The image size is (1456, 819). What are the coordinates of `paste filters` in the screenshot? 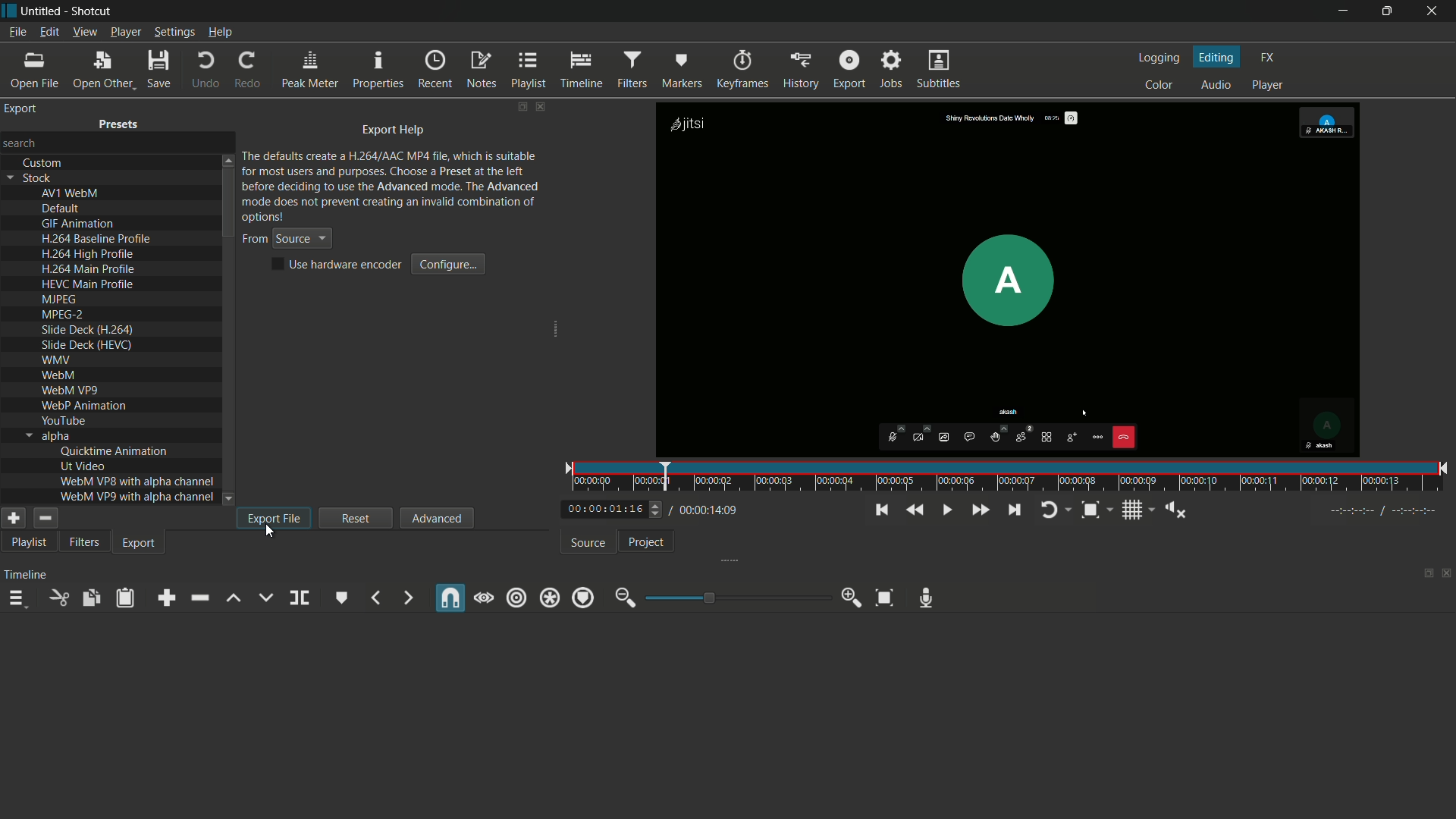 It's located at (125, 599).